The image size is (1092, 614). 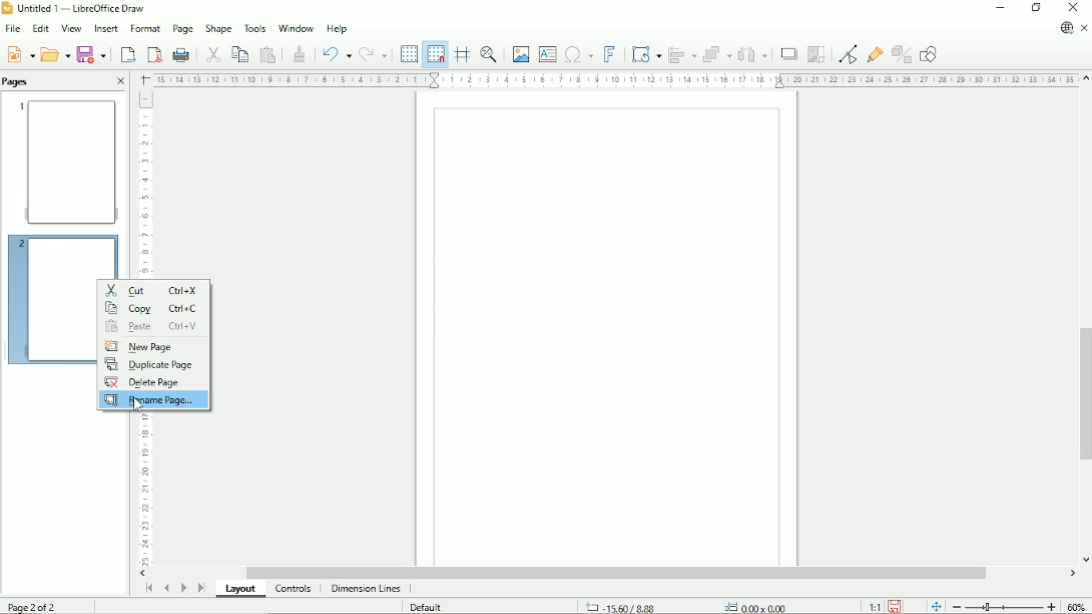 What do you see at coordinates (850, 53) in the screenshot?
I see `Toggle point edit mode` at bounding box center [850, 53].